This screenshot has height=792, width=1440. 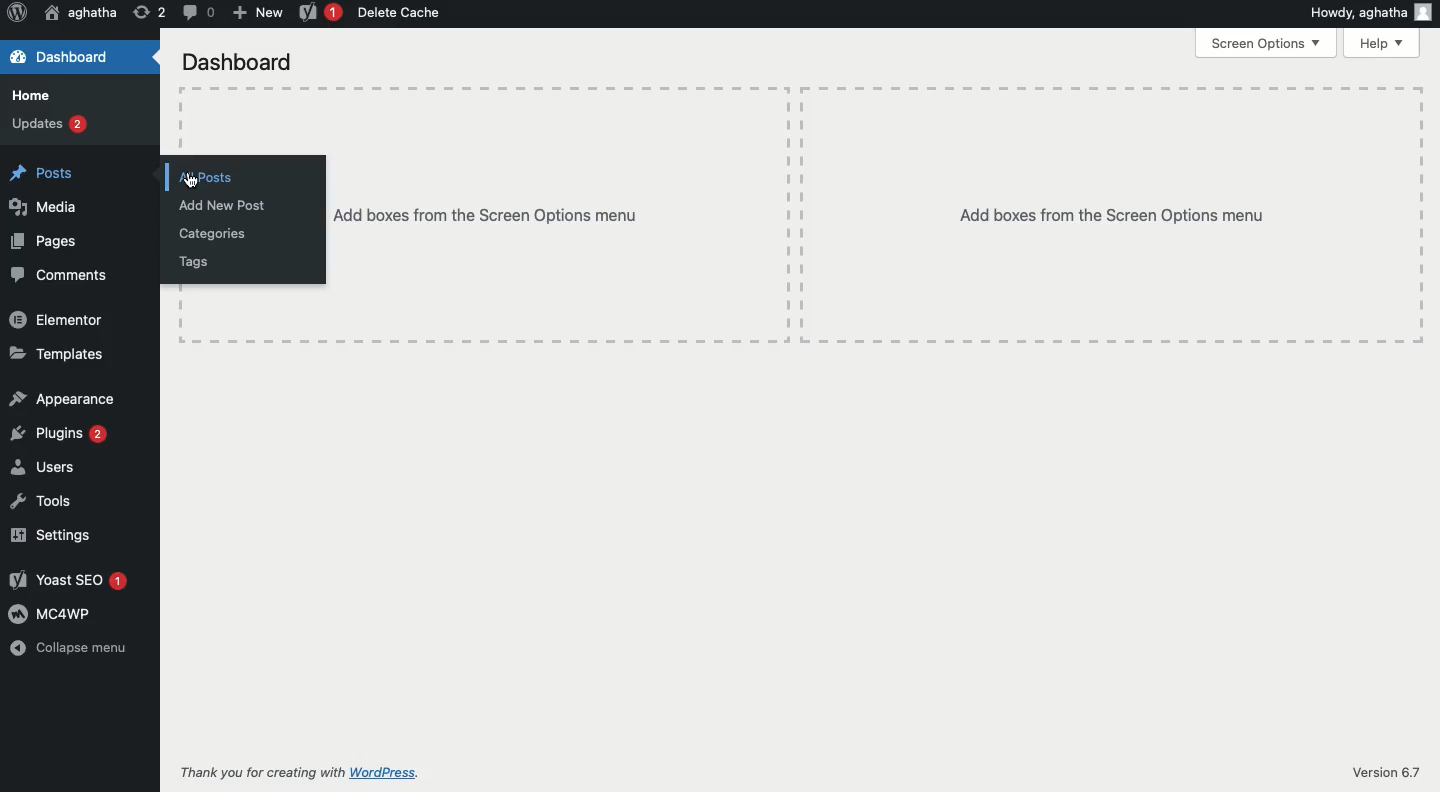 What do you see at coordinates (44, 466) in the screenshot?
I see `Users` at bounding box center [44, 466].